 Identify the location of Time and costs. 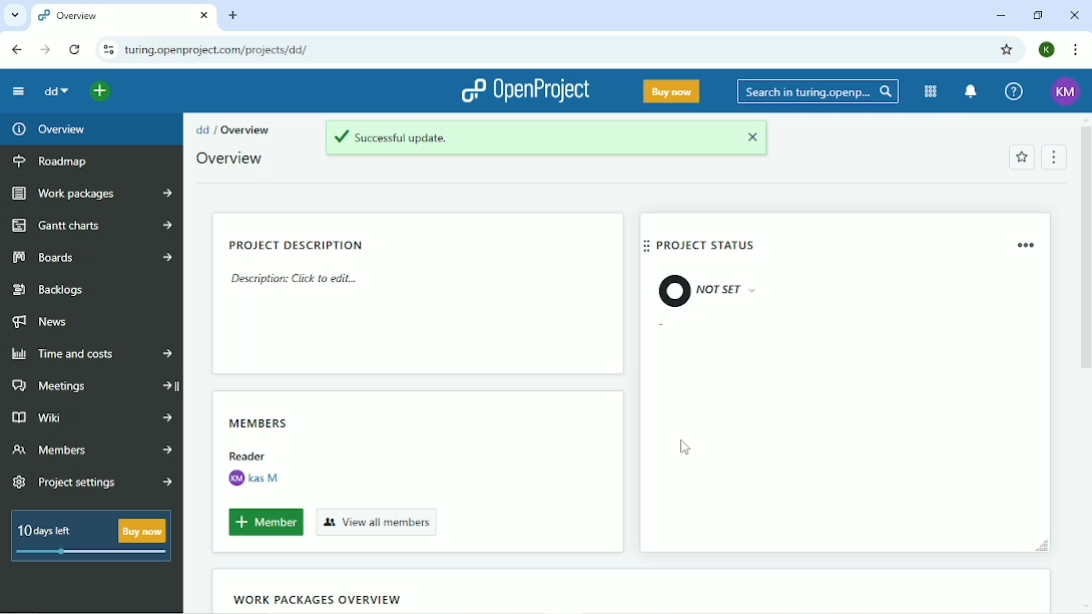
(90, 355).